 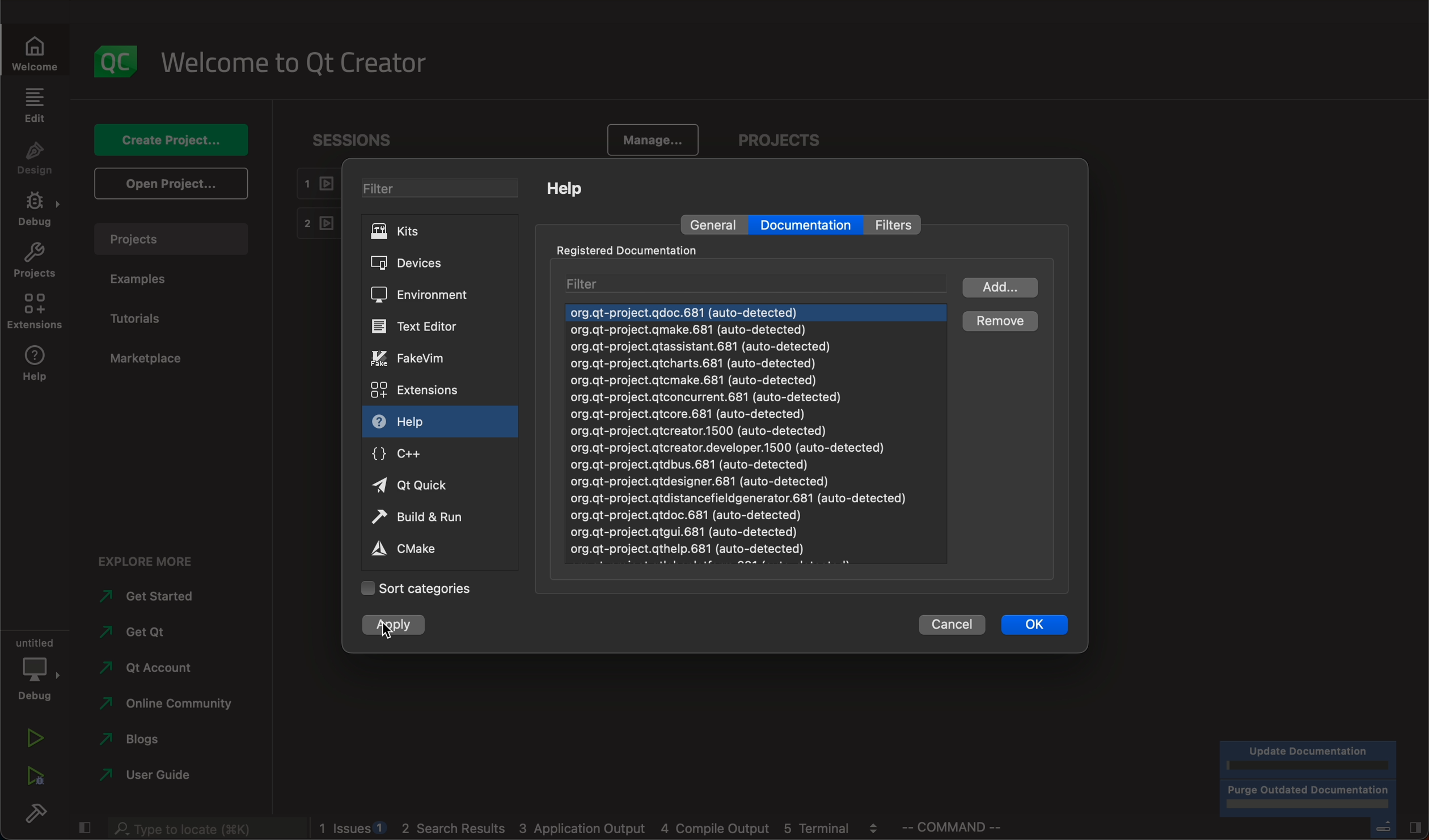 What do you see at coordinates (173, 140) in the screenshot?
I see `create` at bounding box center [173, 140].